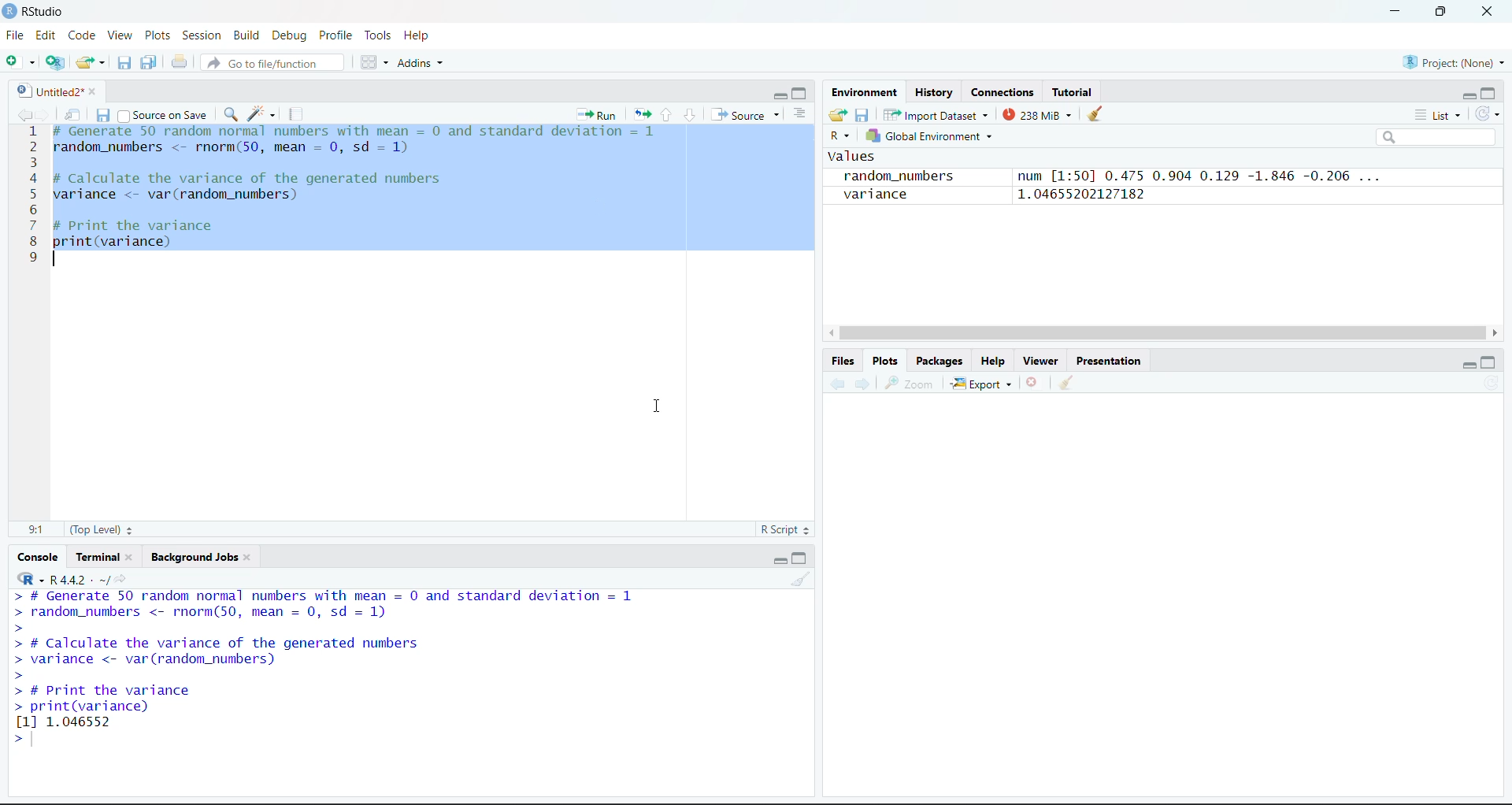 The height and width of the screenshot is (805, 1512). I want to click on Presentation, so click(1109, 361).